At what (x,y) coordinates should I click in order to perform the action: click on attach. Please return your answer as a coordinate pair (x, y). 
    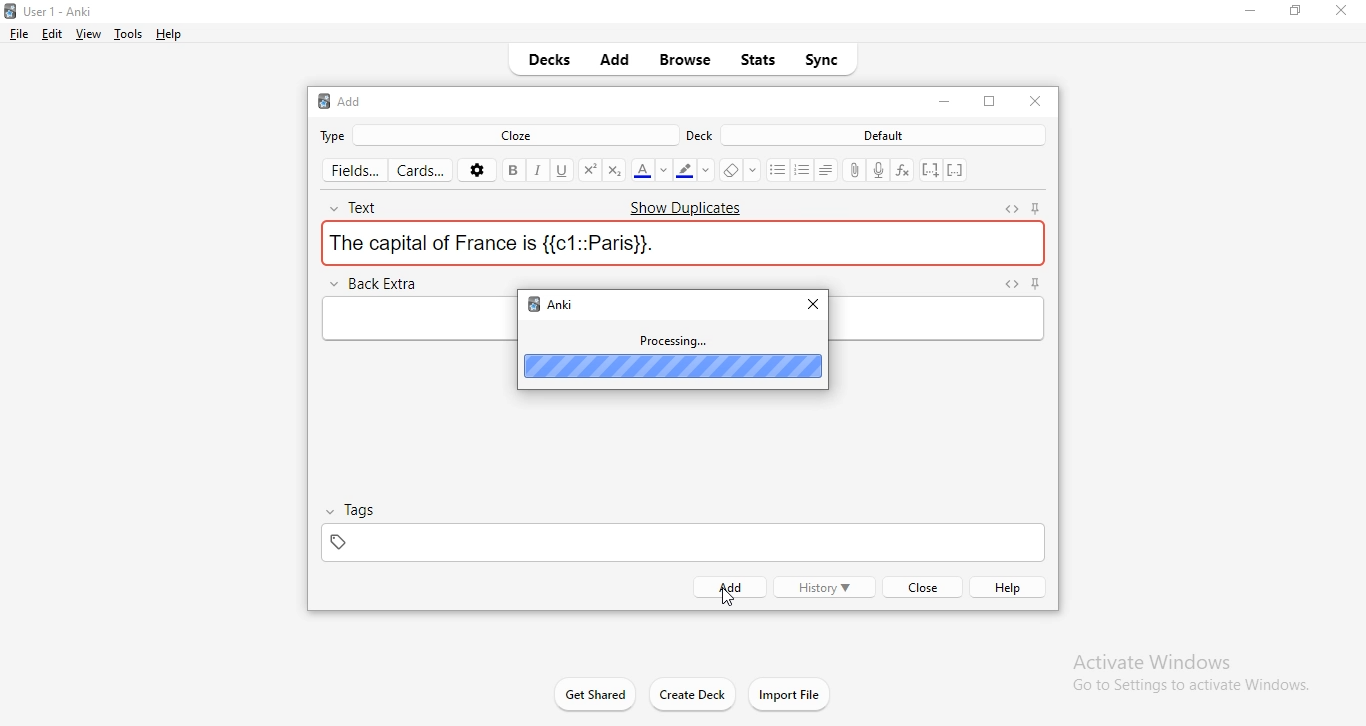
    Looking at the image, I should click on (855, 171).